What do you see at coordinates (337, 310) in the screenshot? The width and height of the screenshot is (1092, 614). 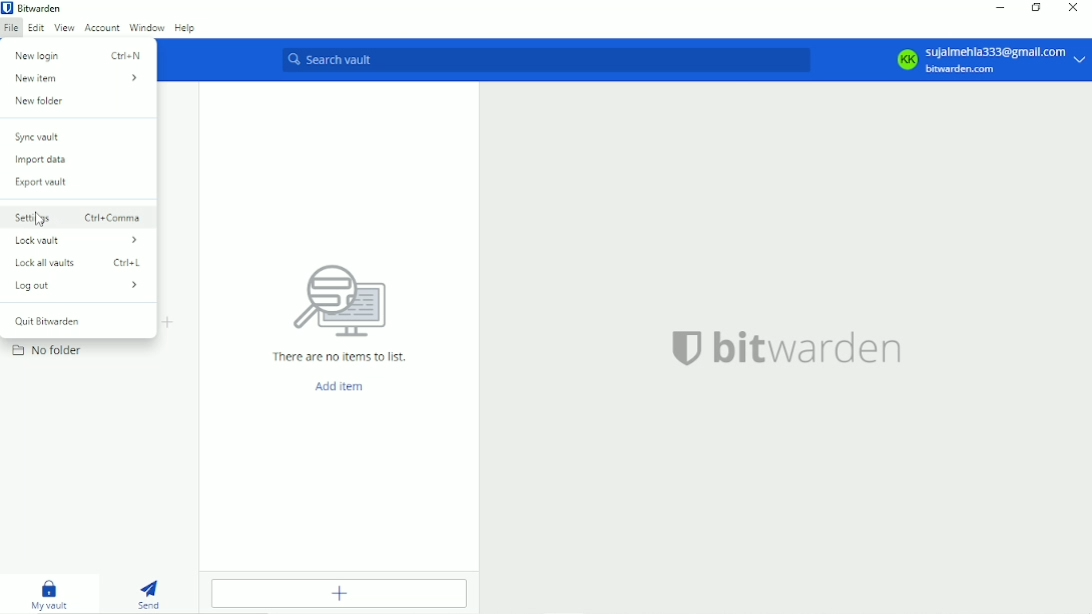 I see `There are no items to list.` at bounding box center [337, 310].